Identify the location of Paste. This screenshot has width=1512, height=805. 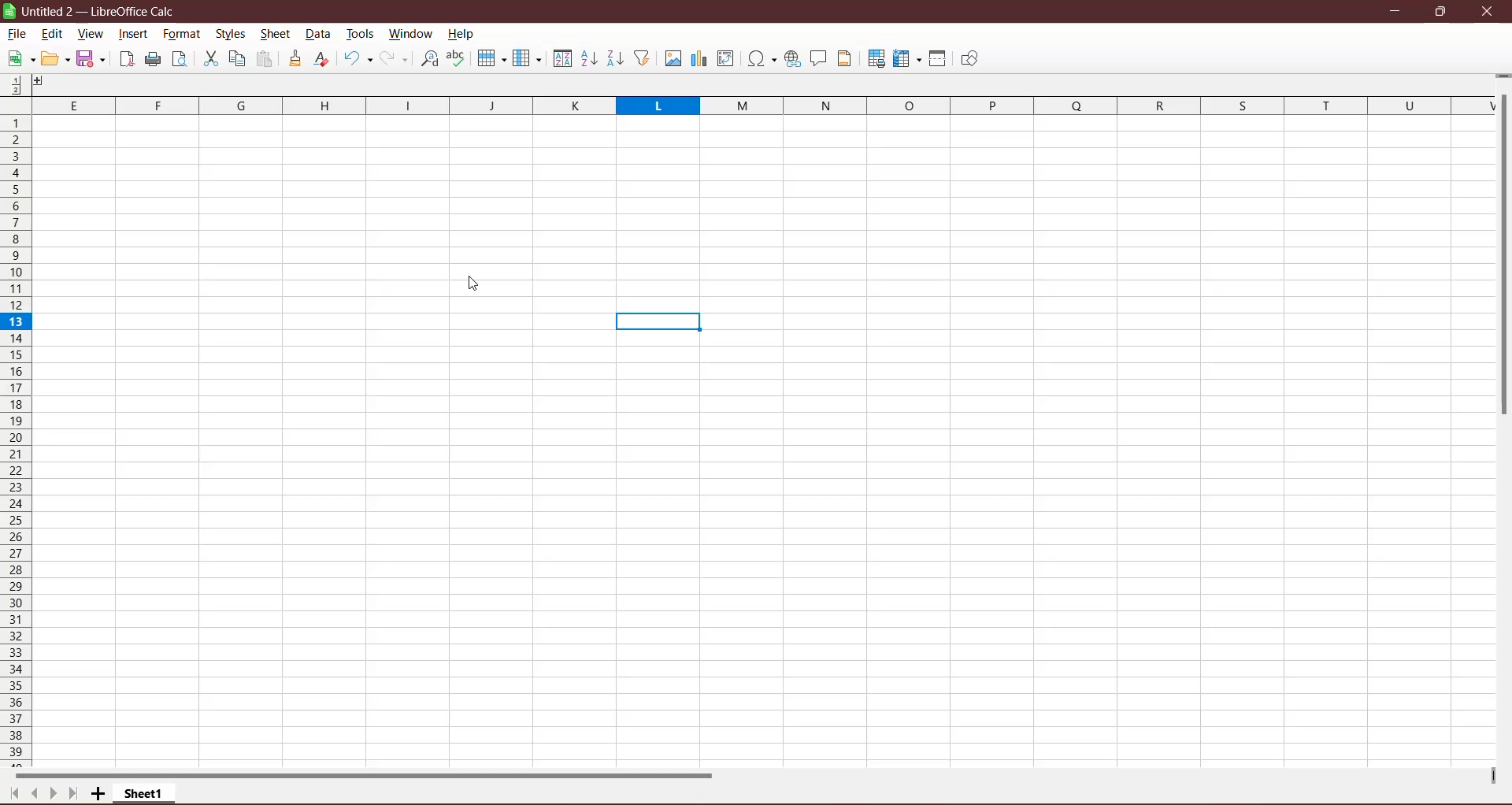
(265, 60).